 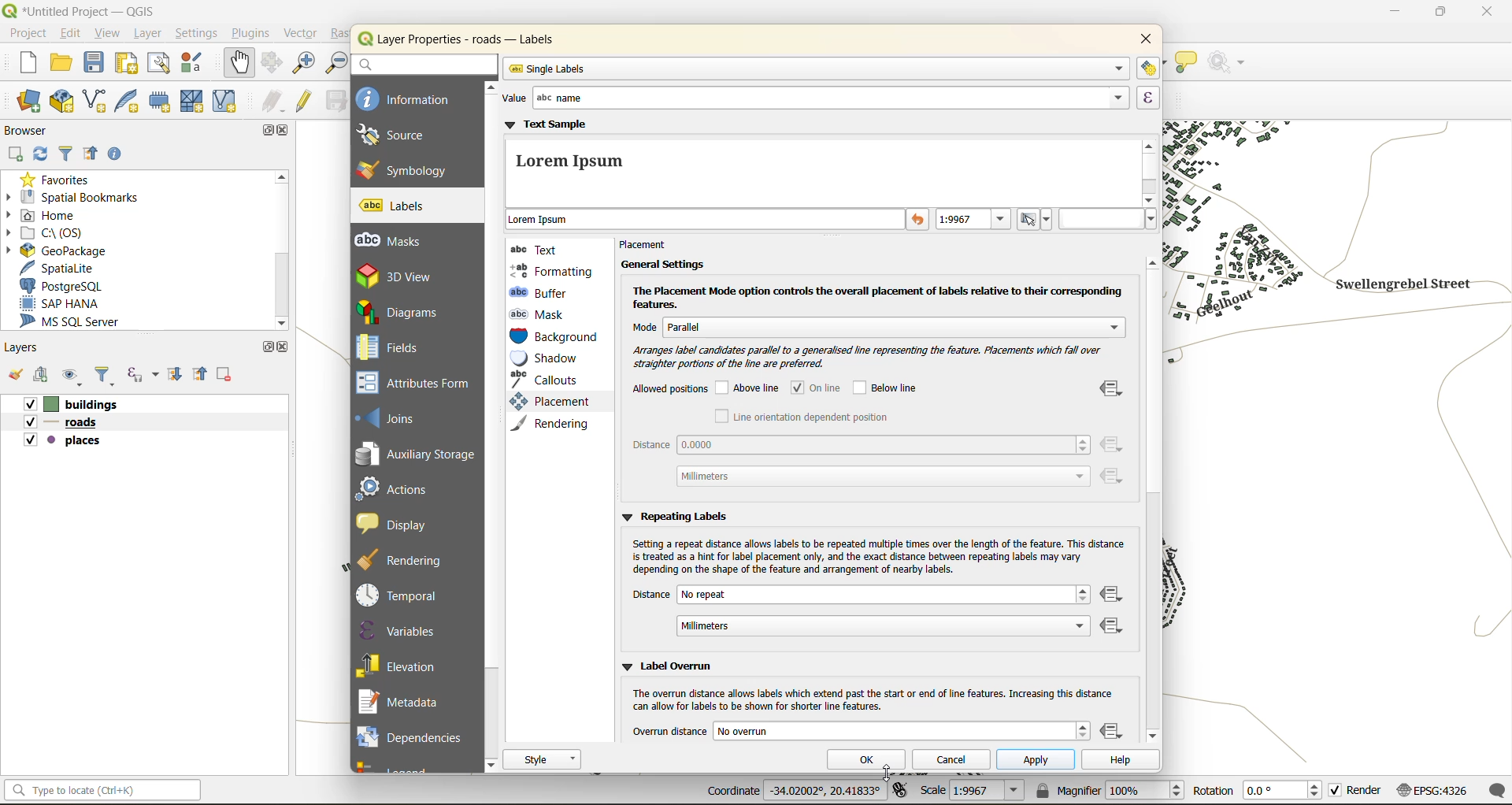 I want to click on view, so click(x=108, y=34).